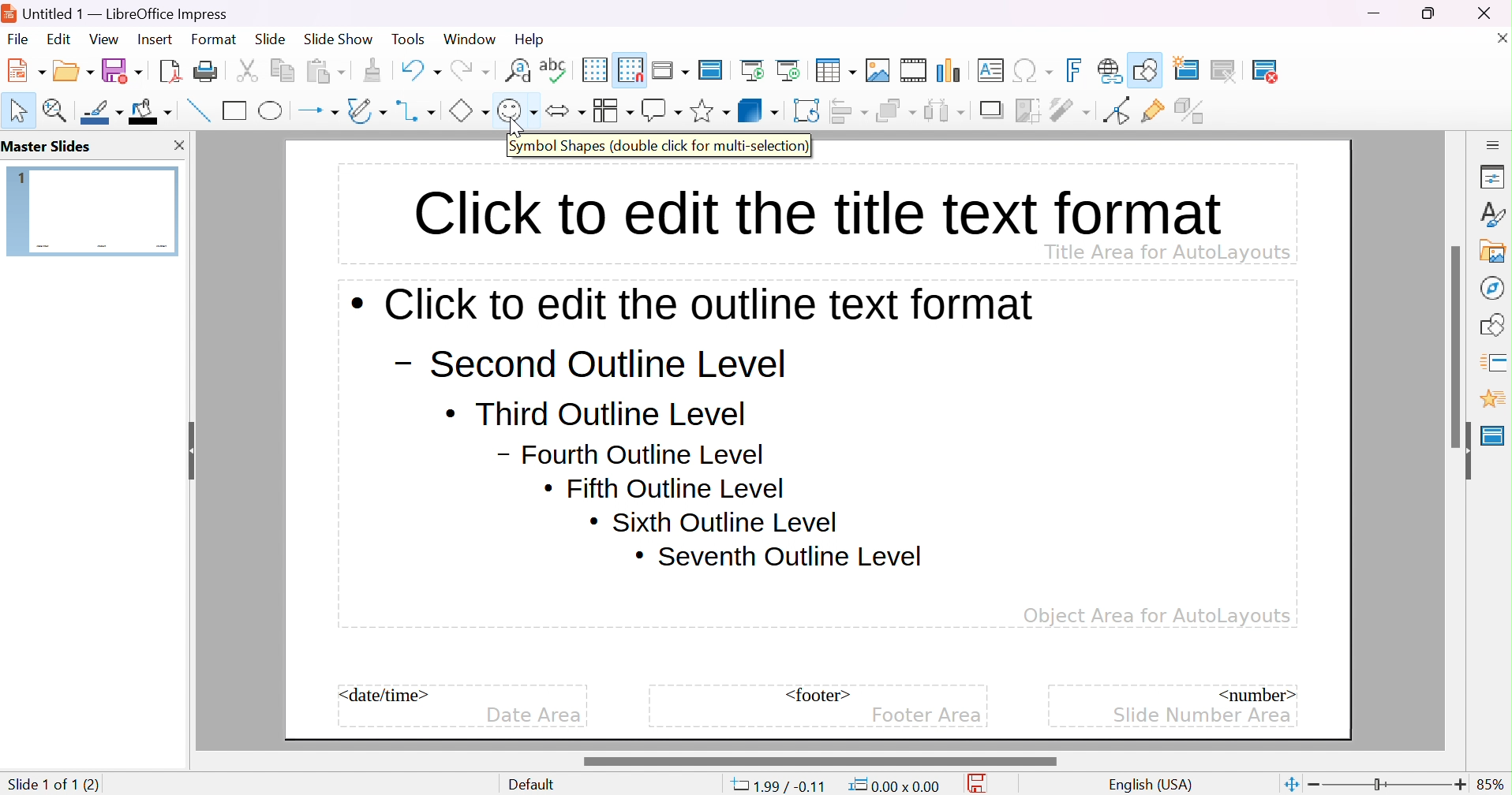  What do you see at coordinates (982, 784) in the screenshot?
I see `save` at bounding box center [982, 784].